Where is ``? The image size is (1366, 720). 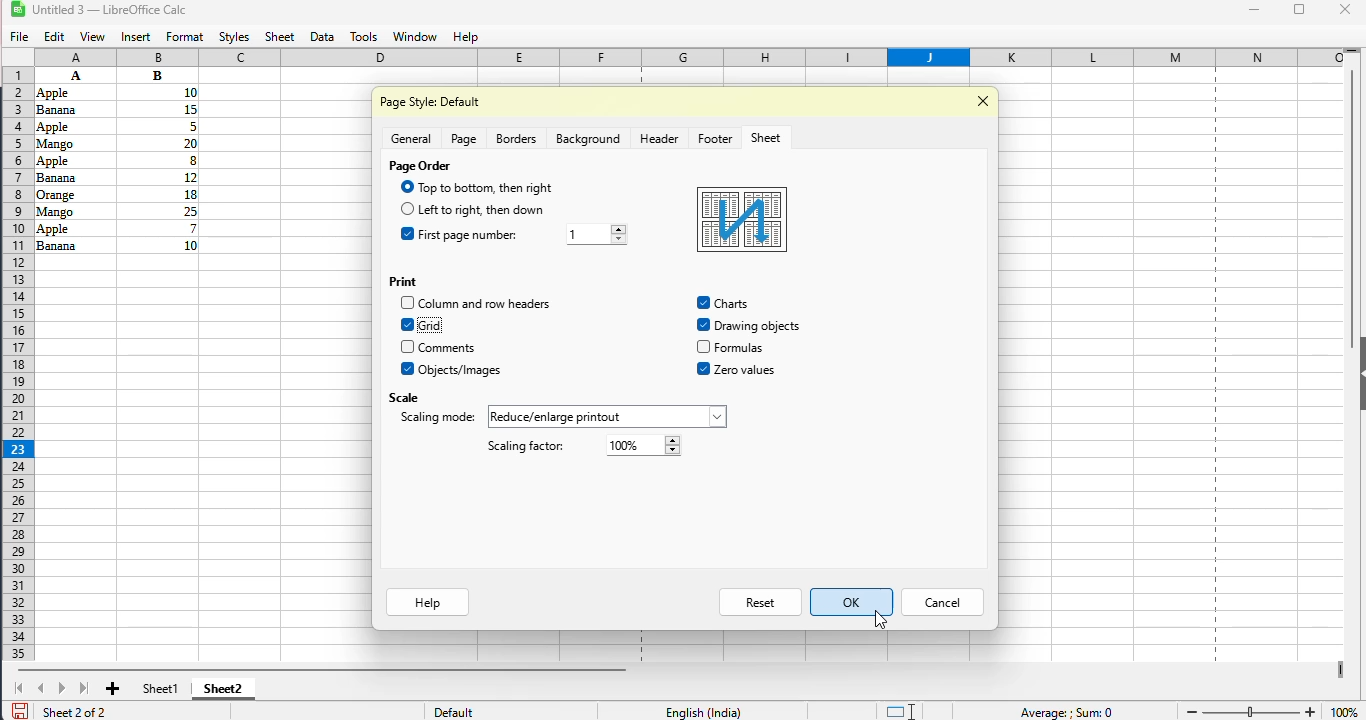
 is located at coordinates (745, 370).